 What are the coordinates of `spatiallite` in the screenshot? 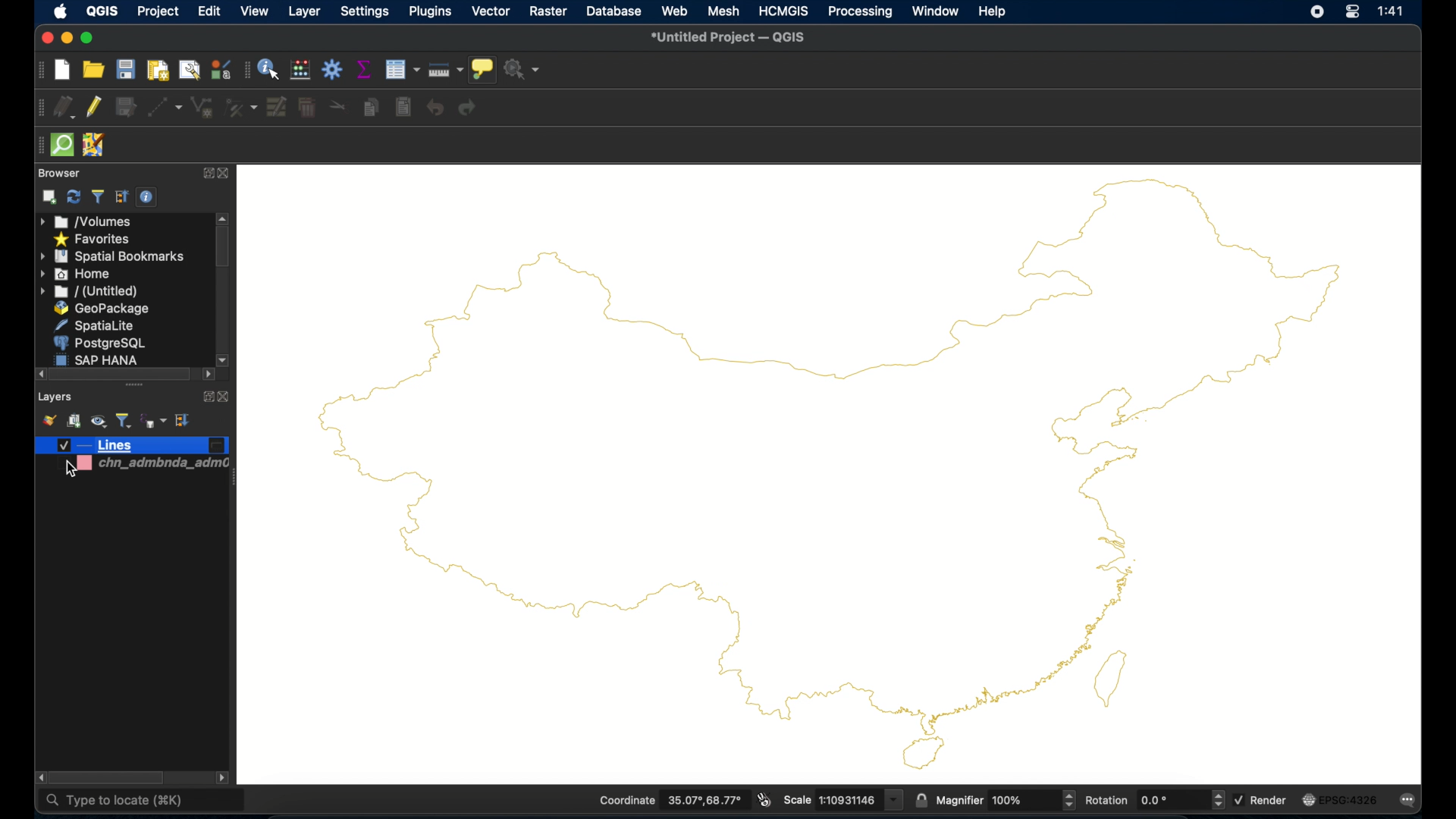 It's located at (93, 325).